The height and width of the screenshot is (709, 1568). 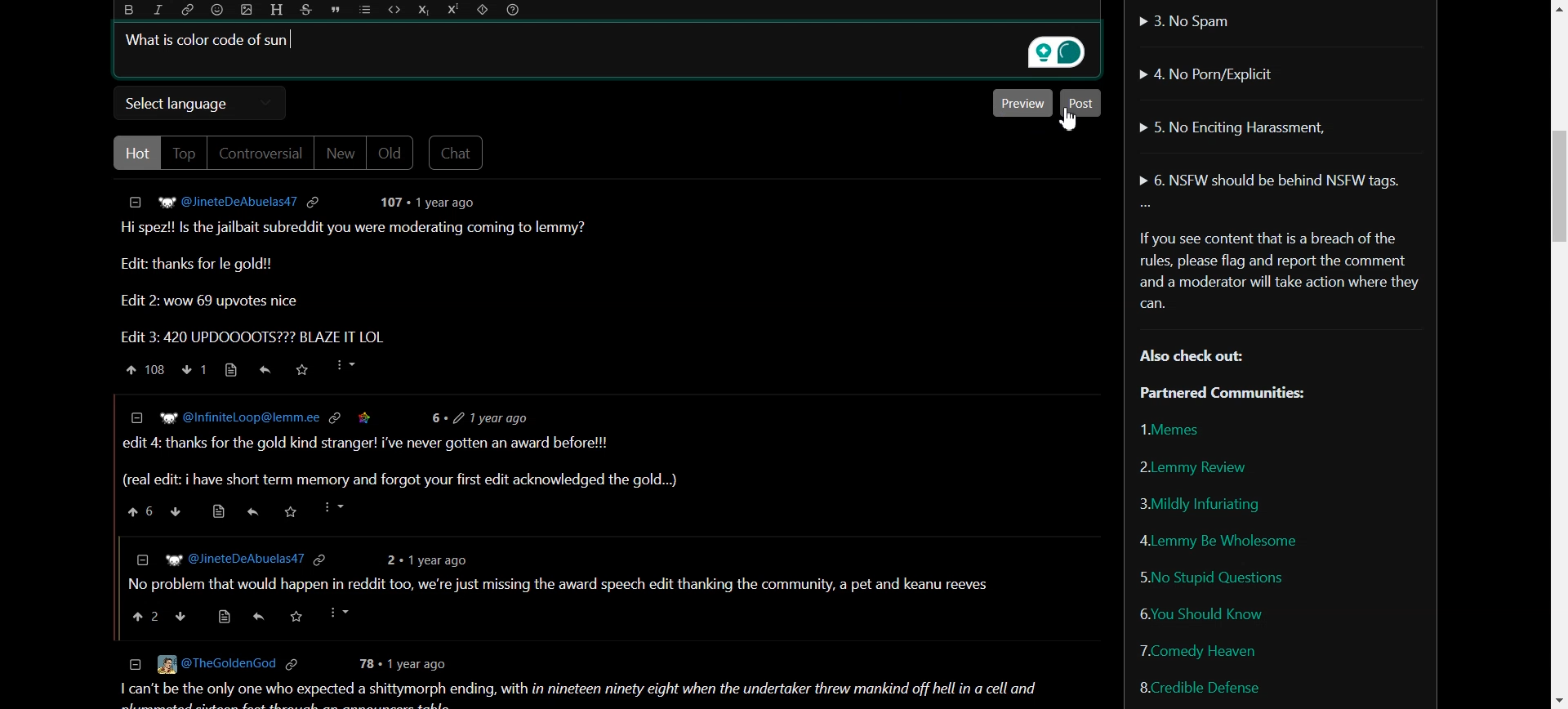 What do you see at coordinates (1232, 125) in the screenshot?
I see `No Enciting Harassment` at bounding box center [1232, 125].